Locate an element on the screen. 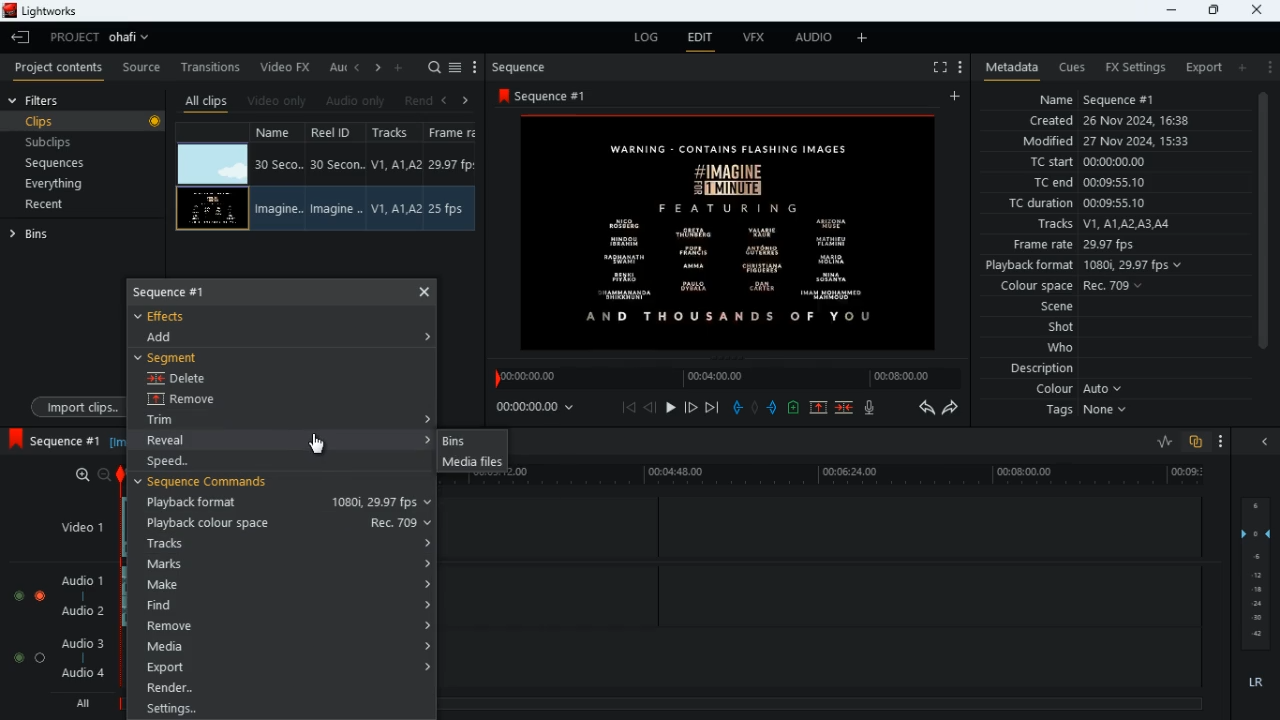 The width and height of the screenshot is (1280, 720). trim is located at coordinates (180, 421).